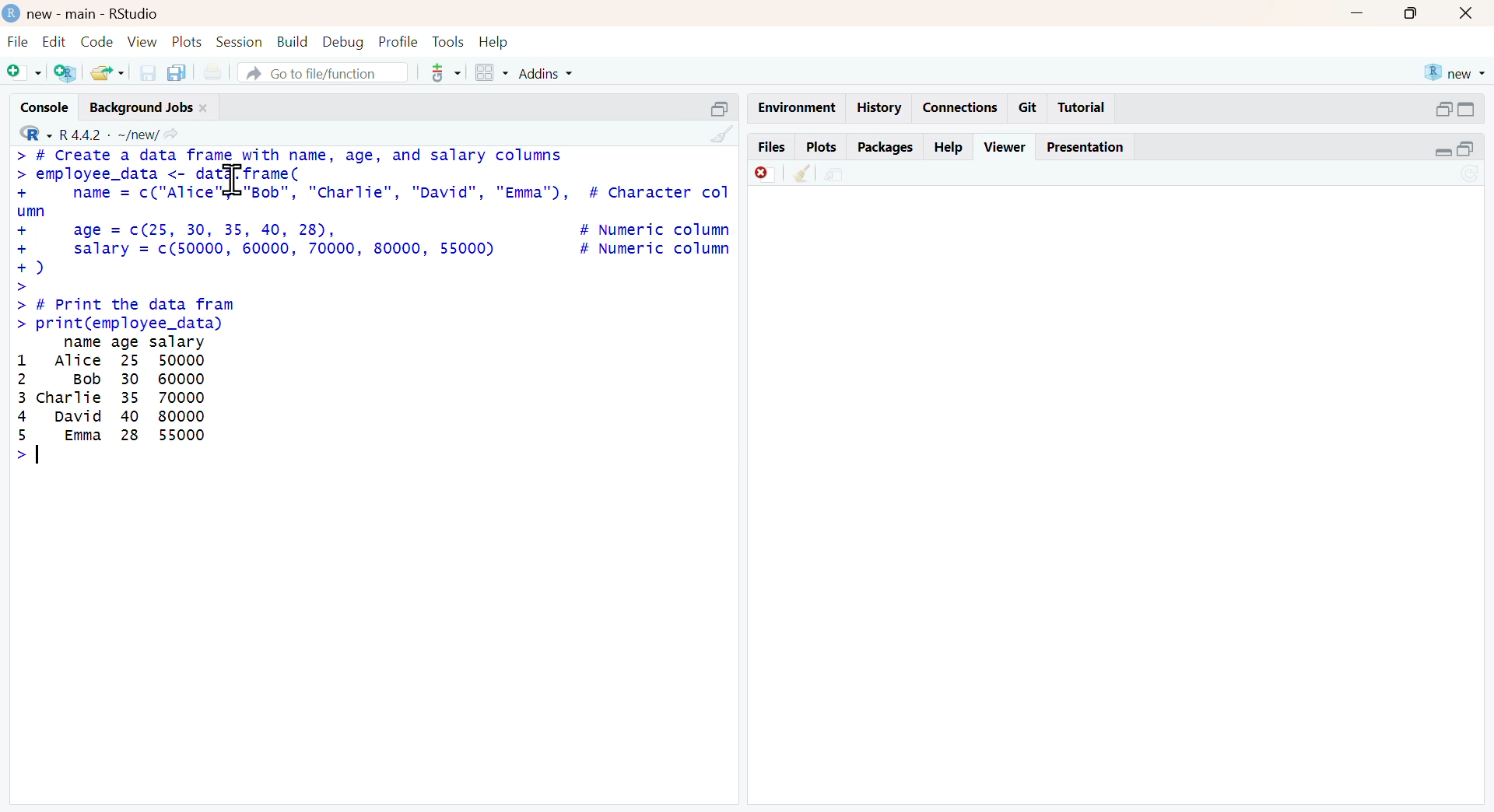 Image resolution: width=1494 pixels, height=812 pixels. I want to click on Create new Project, so click(65, 74).